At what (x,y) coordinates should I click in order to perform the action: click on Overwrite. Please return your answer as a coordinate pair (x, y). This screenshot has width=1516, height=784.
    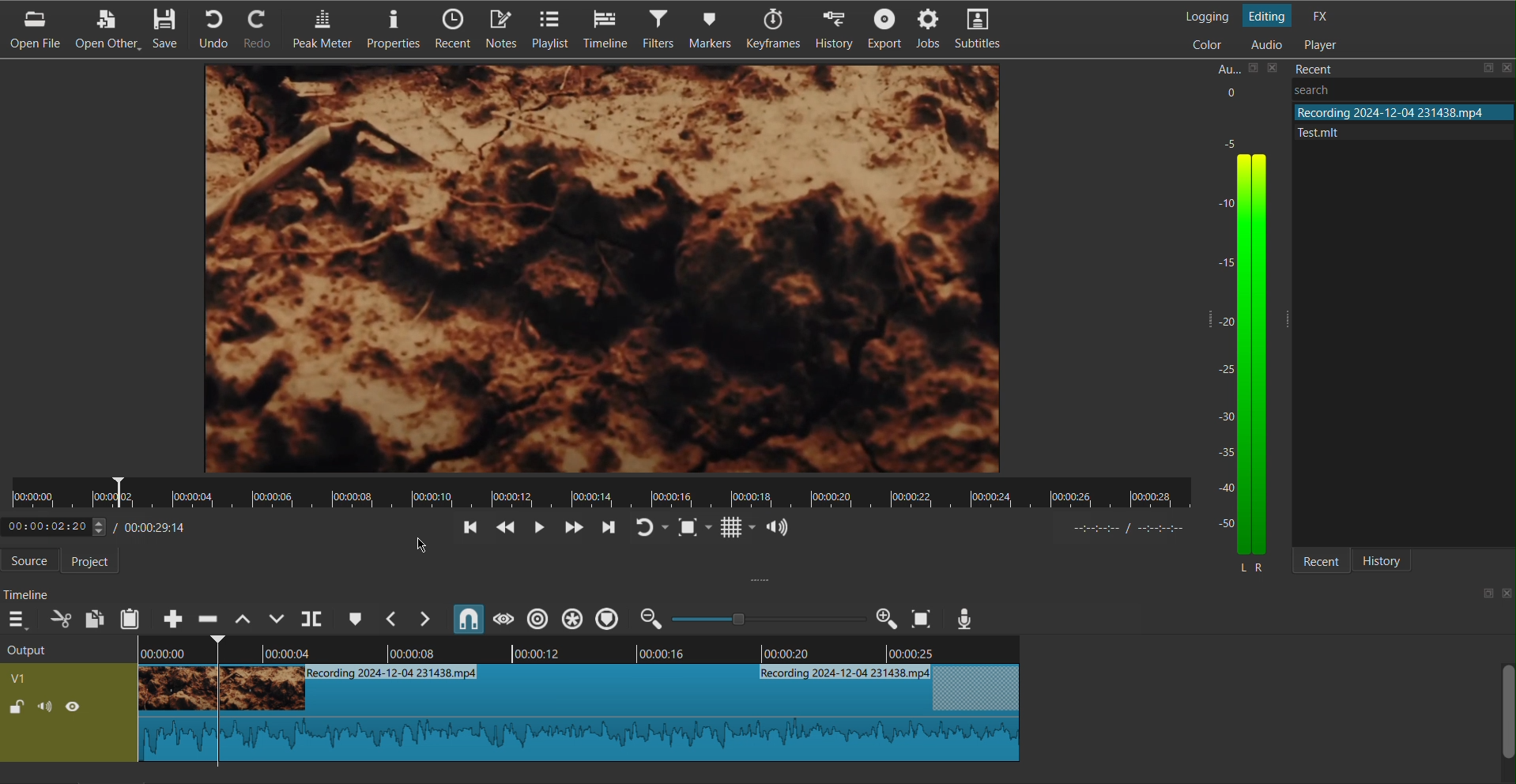
    Looking at the image, I should click on (277, 618).